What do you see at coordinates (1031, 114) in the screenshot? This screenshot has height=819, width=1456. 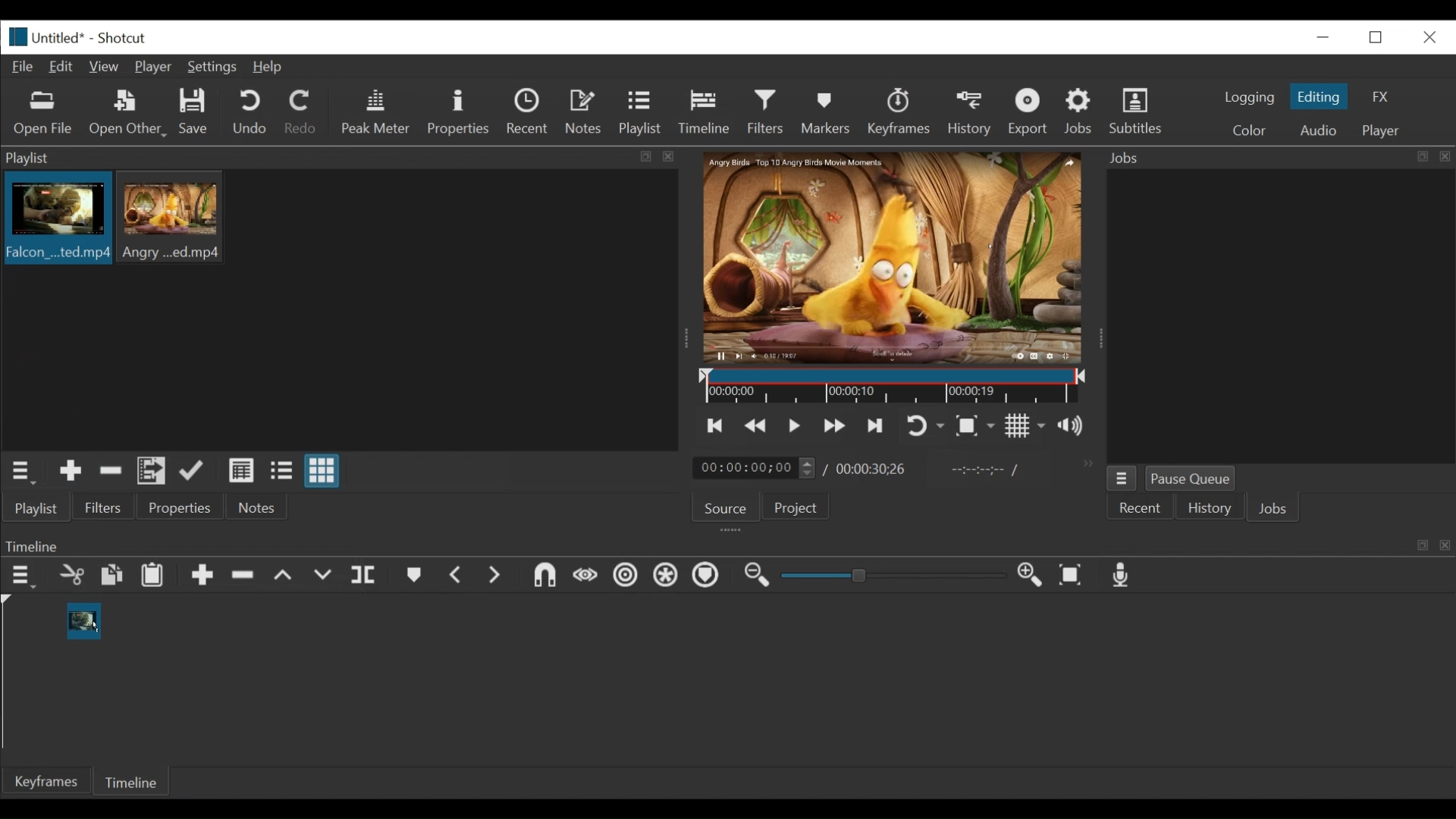 I see `Export` at bounding box center [1031, 114].